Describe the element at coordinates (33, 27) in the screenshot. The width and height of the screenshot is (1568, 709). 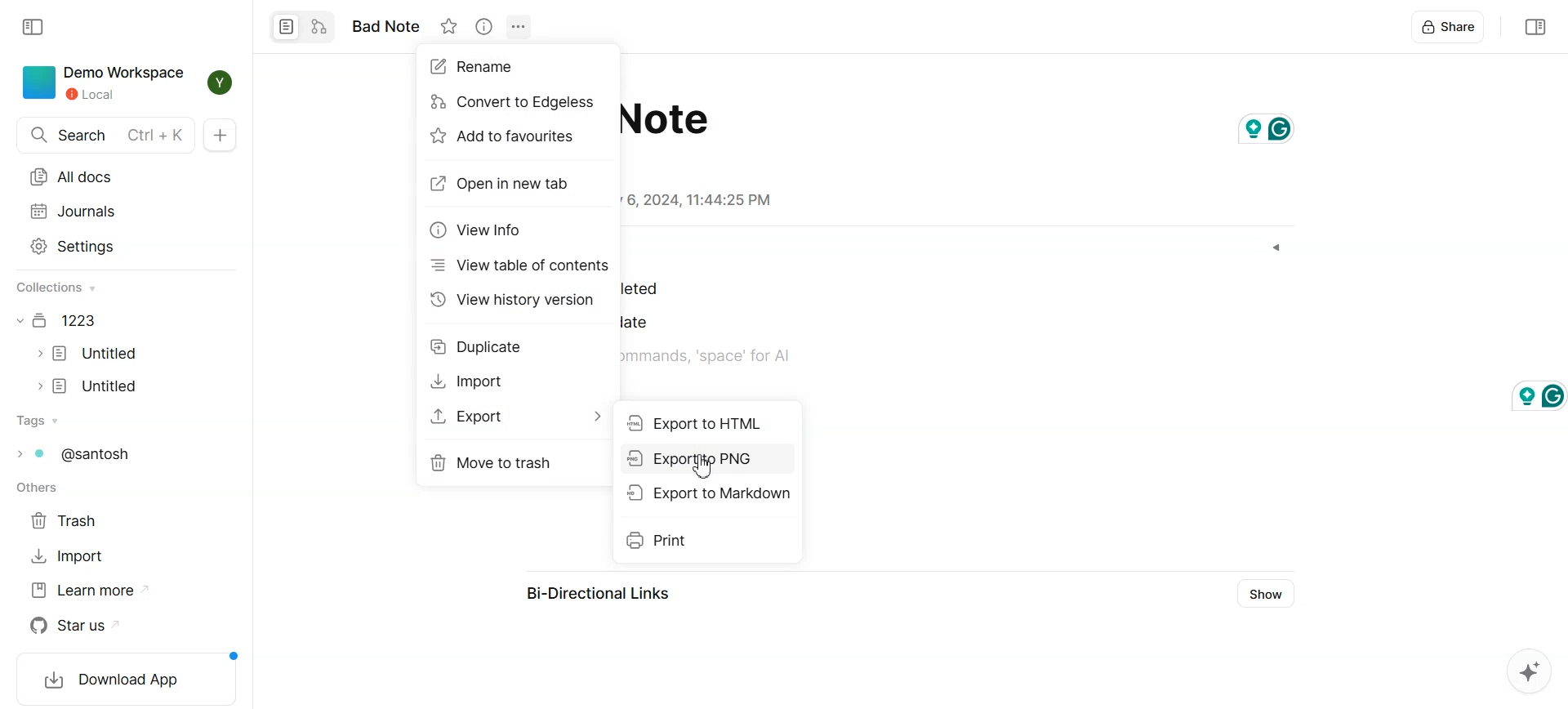
I see `Collapse sidebar` at that location.